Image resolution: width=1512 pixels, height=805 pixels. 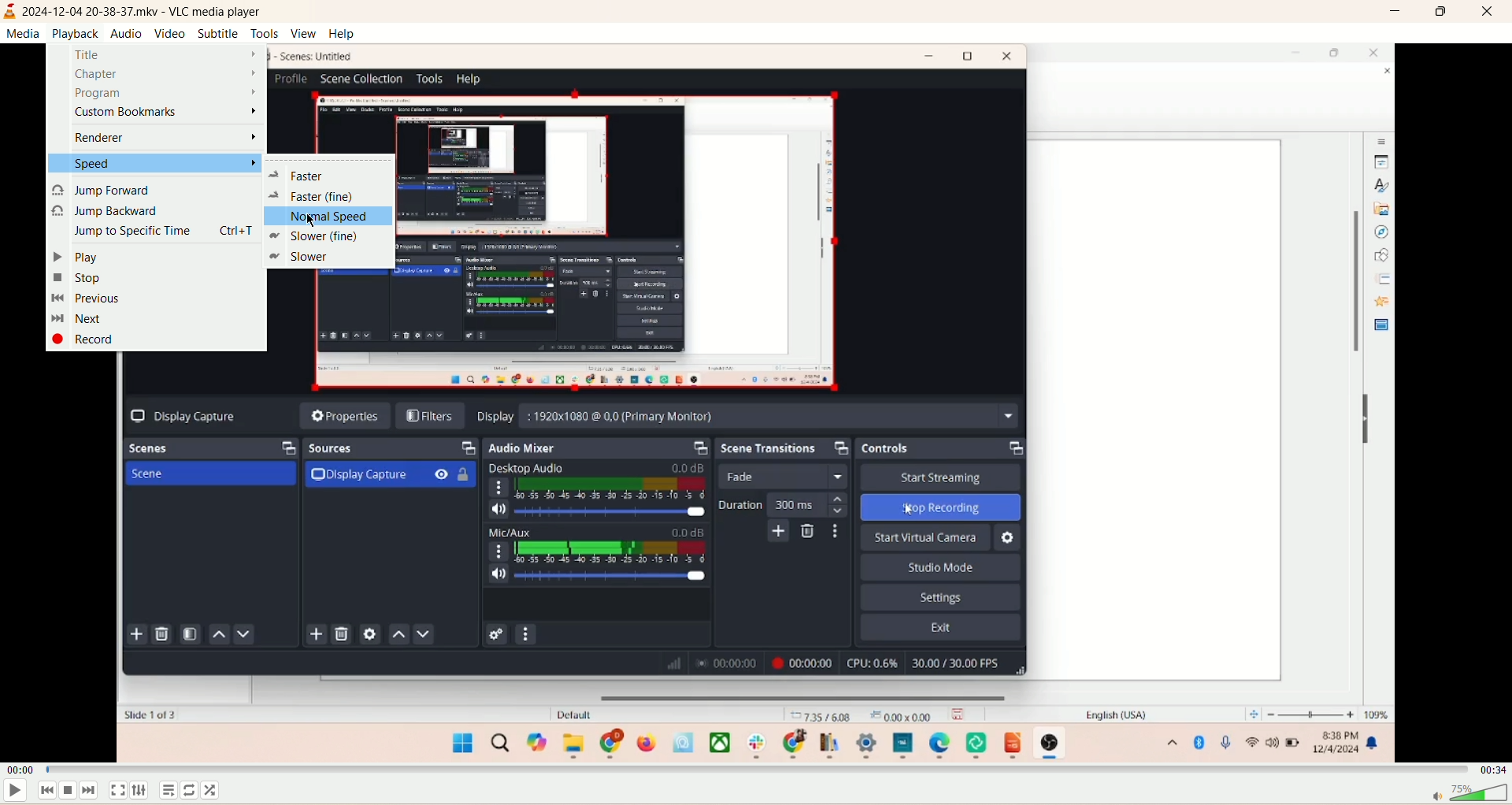 I want to click on close, so click(x=1490, y=13).